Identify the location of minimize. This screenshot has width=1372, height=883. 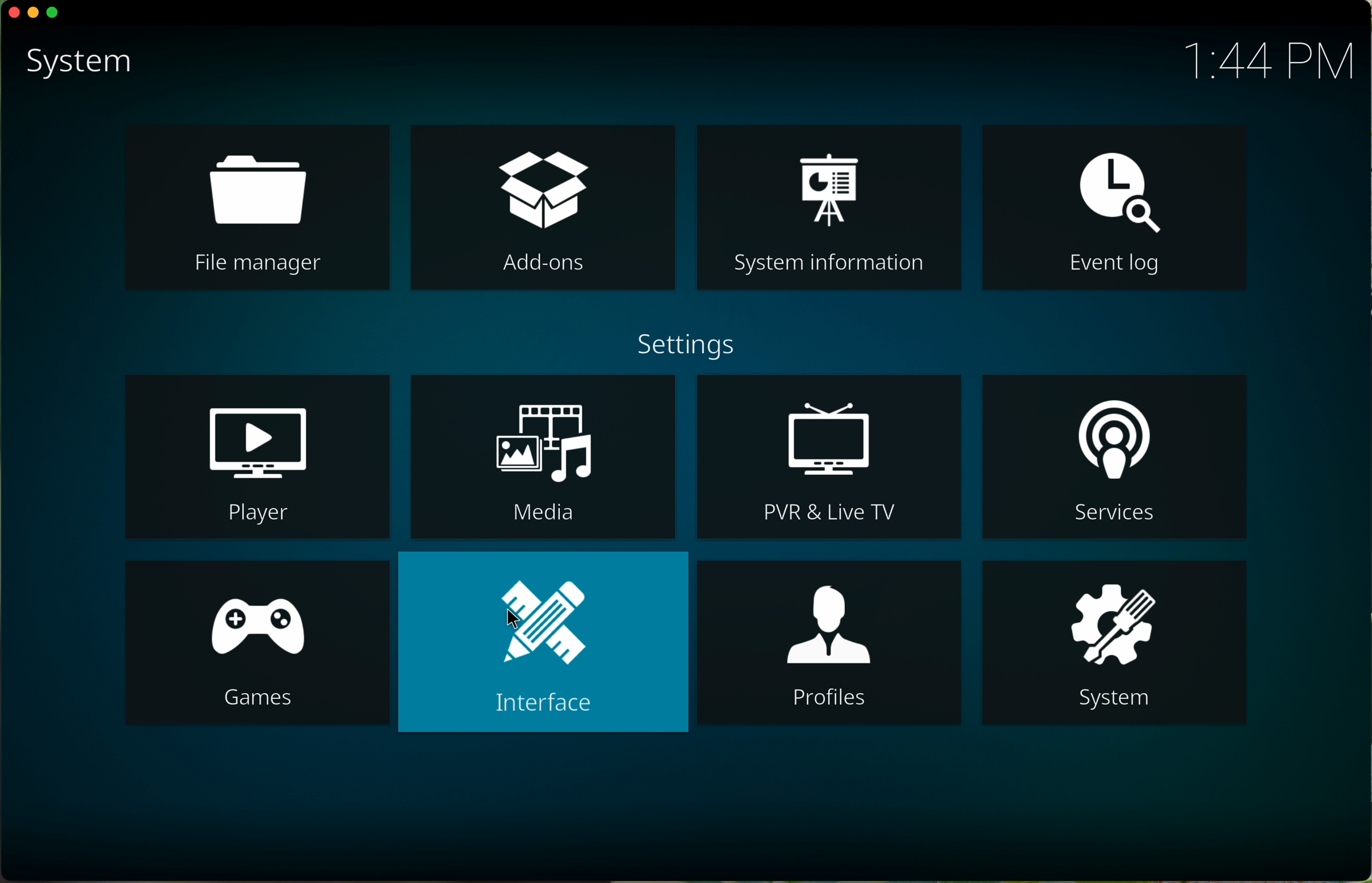
(32, 14).